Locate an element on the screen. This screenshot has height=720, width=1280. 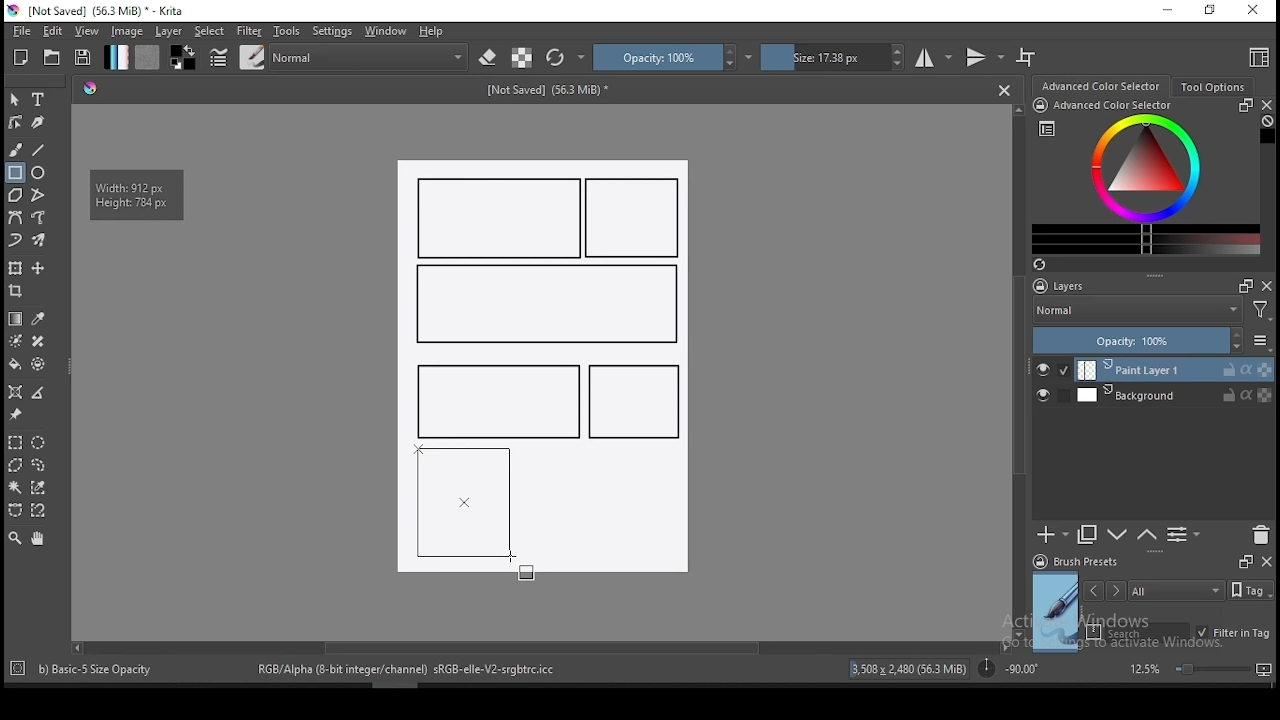
zoom level is located at coordinates (1200, 668).